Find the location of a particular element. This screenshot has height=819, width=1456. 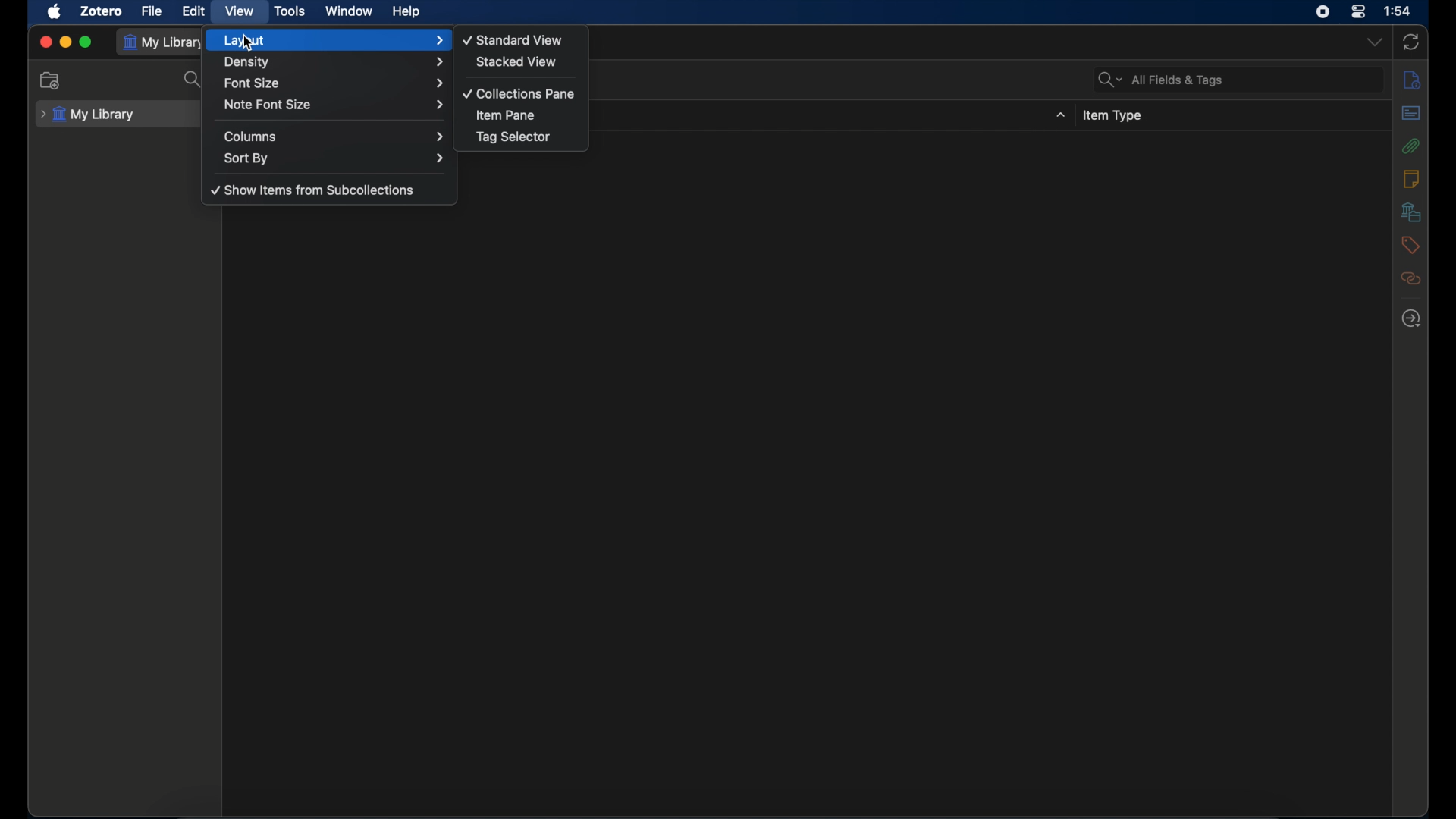

close is located at coordinates (44, 42).